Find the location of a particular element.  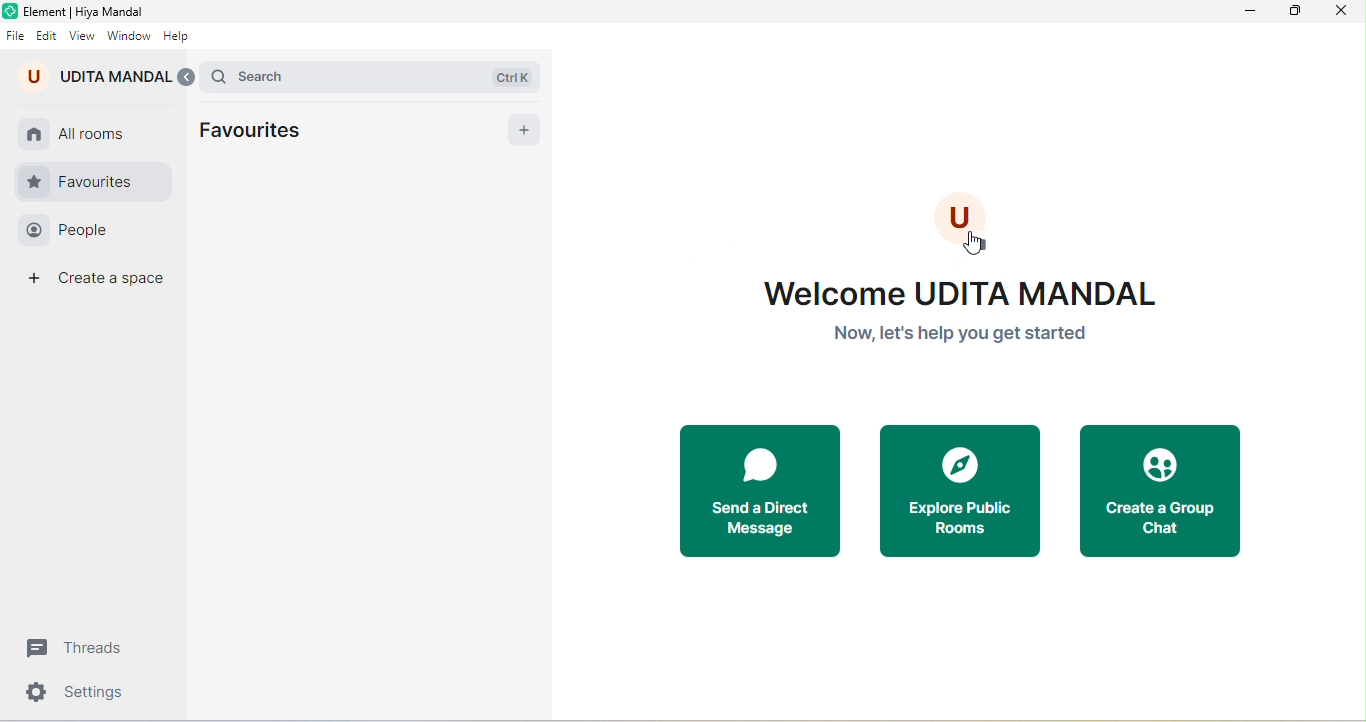

view is located at coordinates (82, 37).